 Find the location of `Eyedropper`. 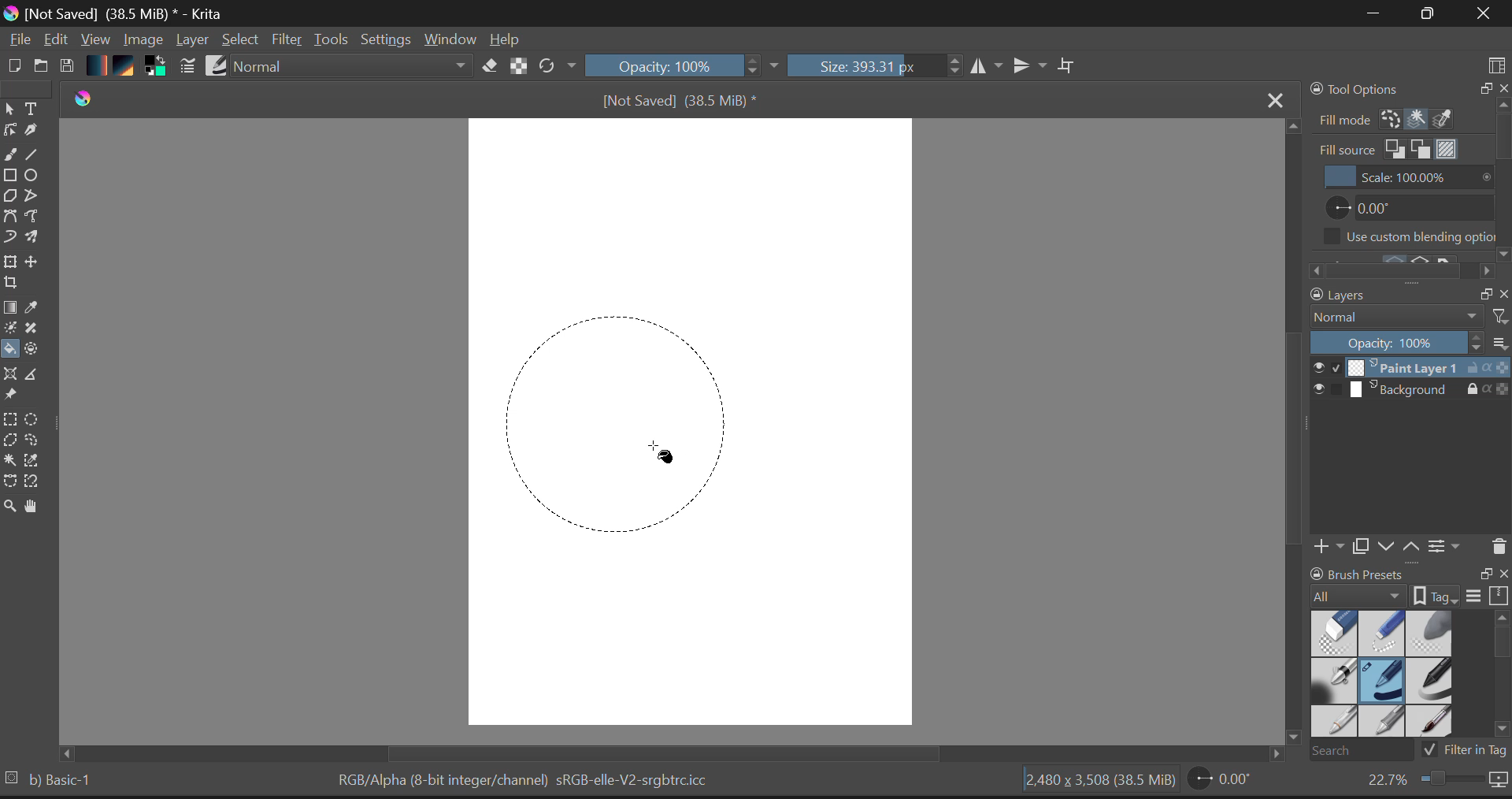

Eyedropper is located at coordinates (35, 310).